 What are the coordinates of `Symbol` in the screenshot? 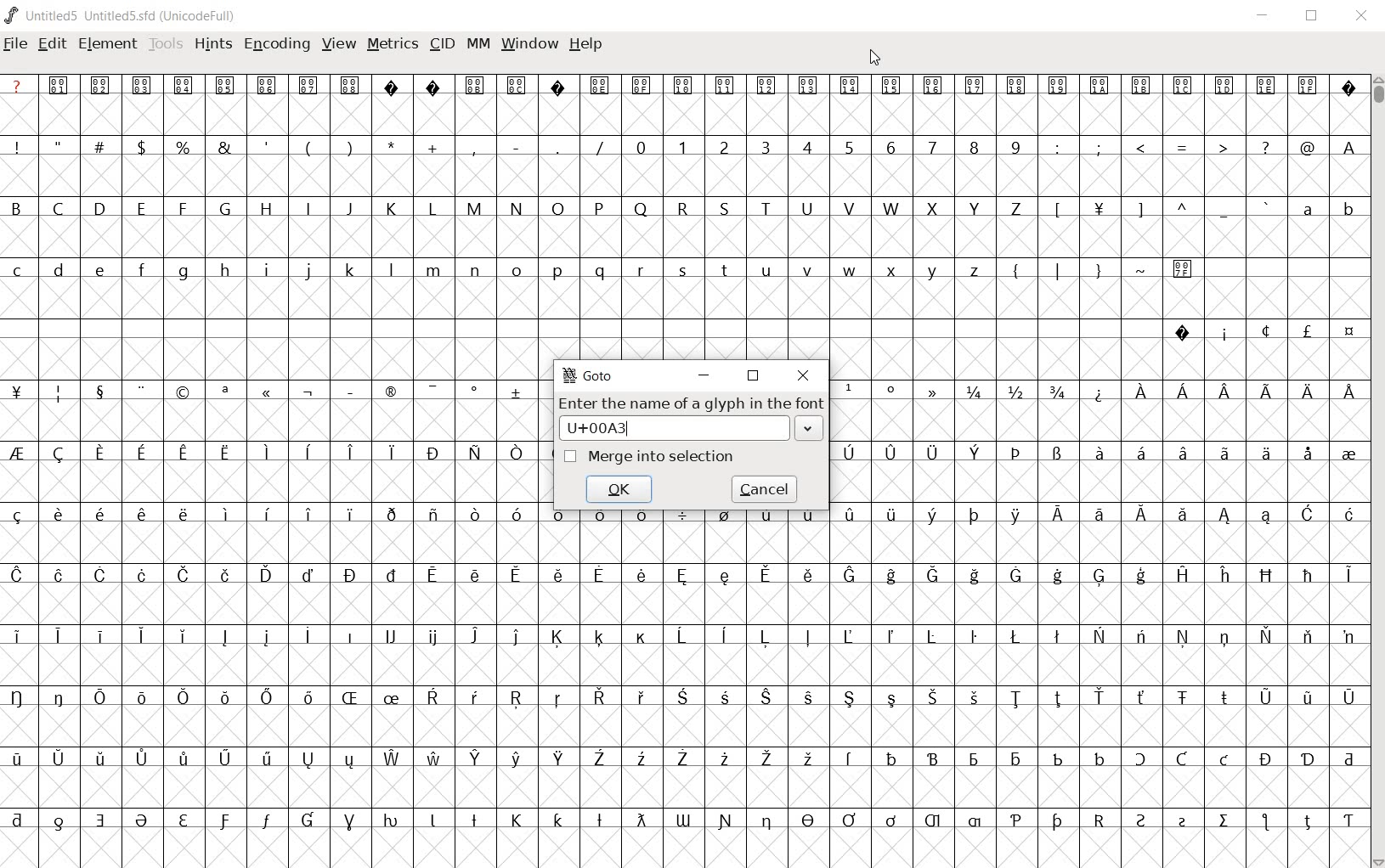 It's located at (140, 758).